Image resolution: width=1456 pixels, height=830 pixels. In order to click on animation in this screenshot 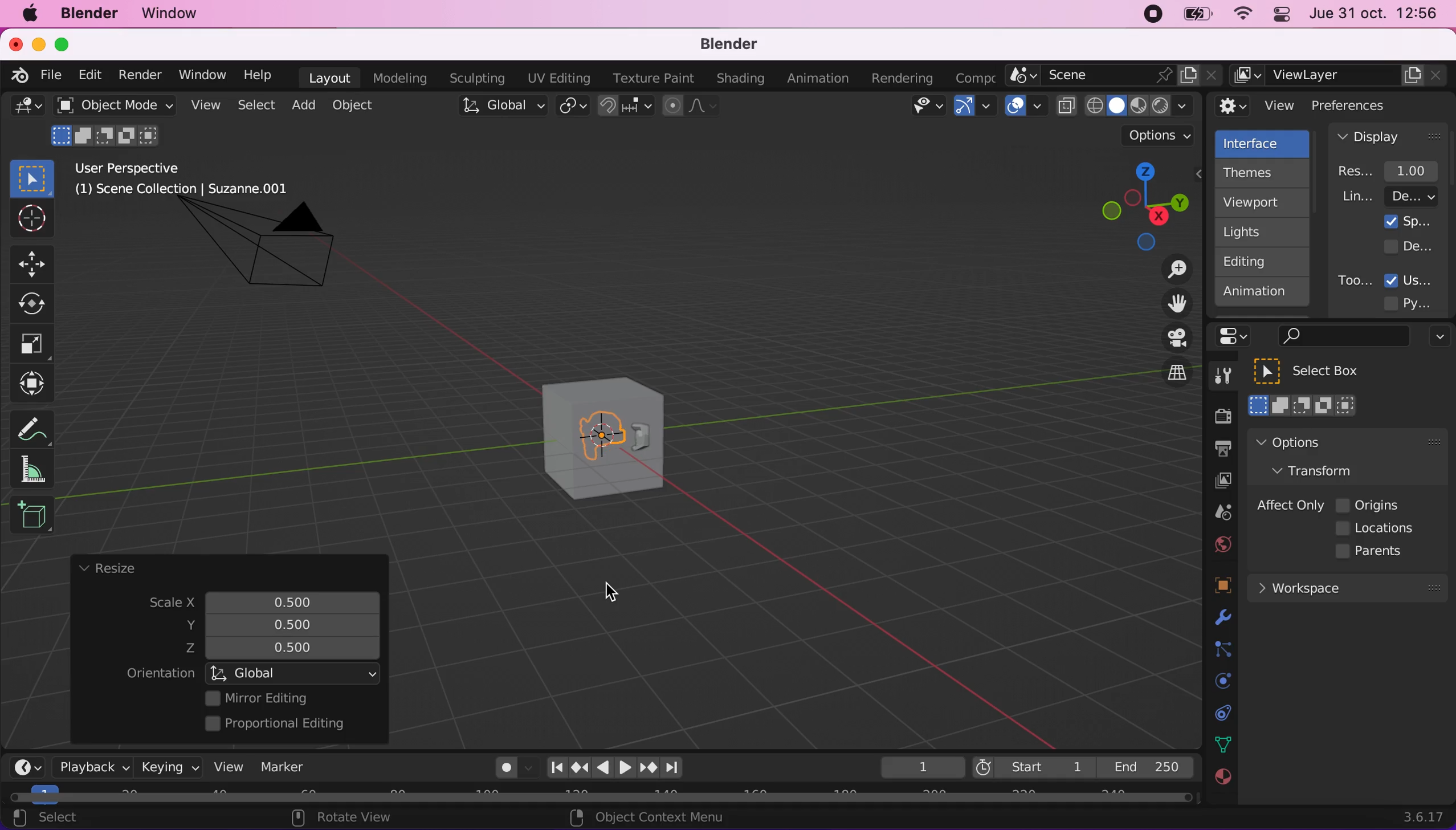, I will do `click(1263, 295)`.